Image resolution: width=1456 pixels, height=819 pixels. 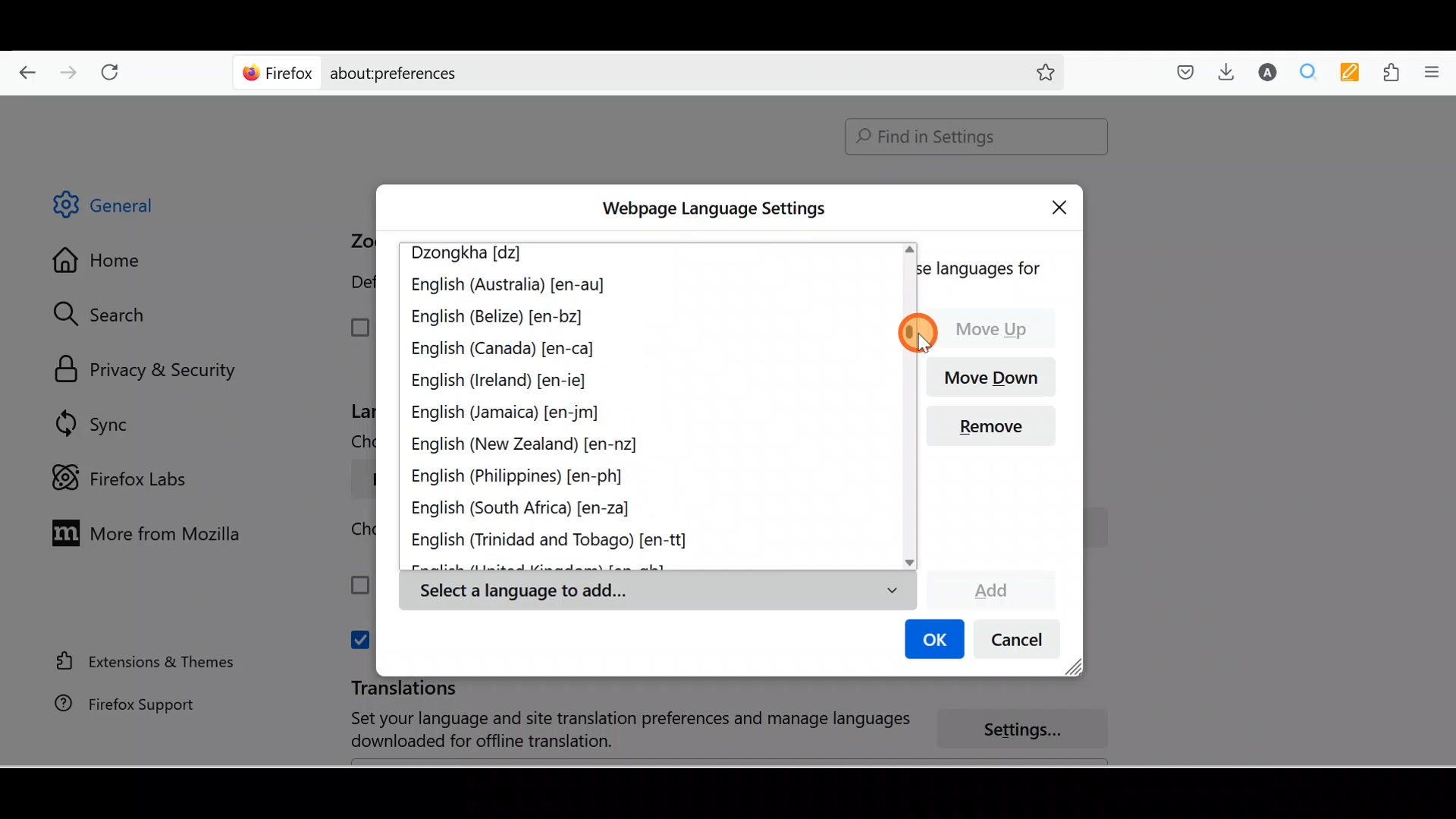 What do you see at coordinates (1437, 71) in the screenshot?
I see `Open application menu` at bounding box center [1437, 71].